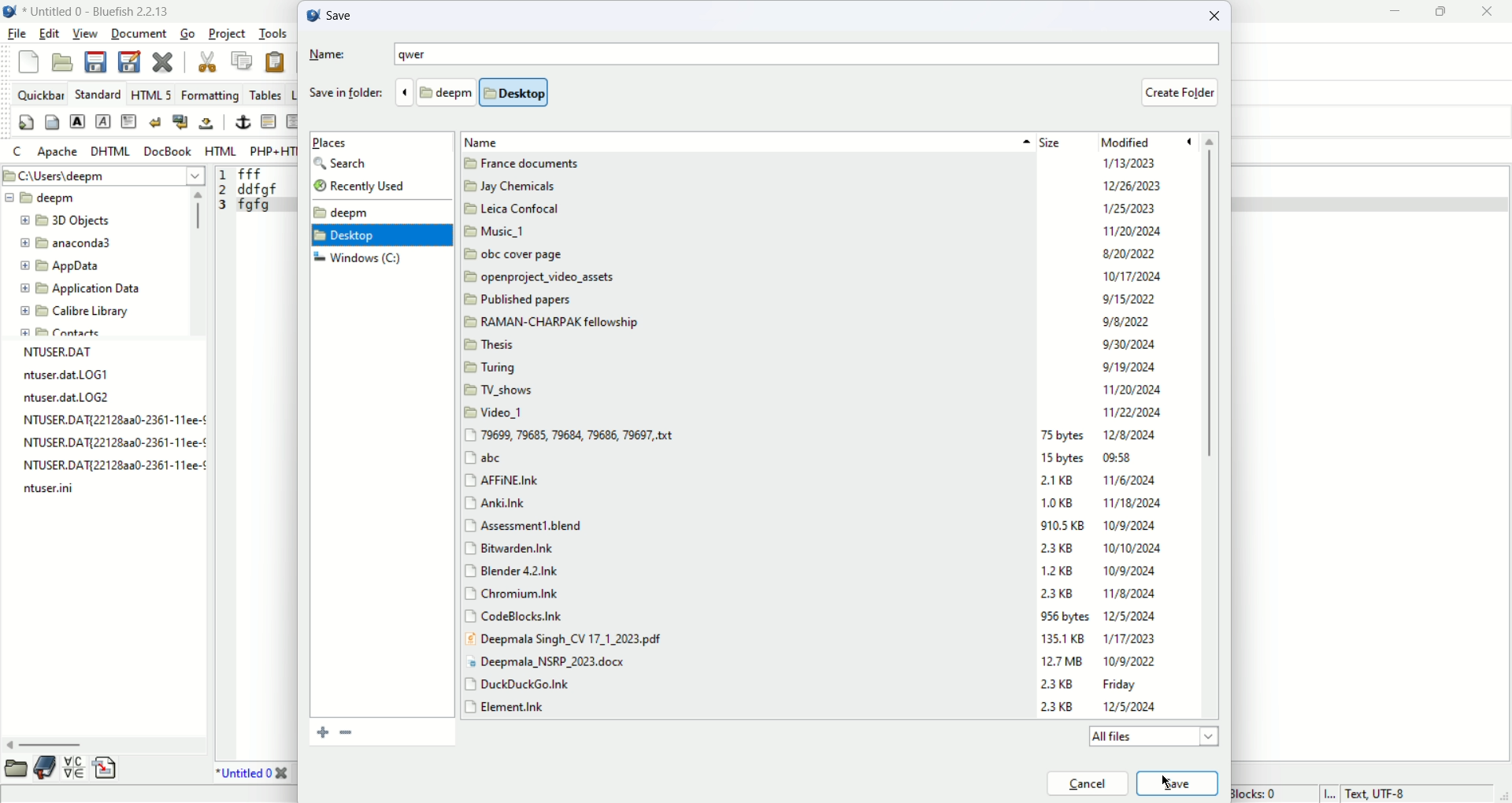  I want to click on file, so click(17, 34).